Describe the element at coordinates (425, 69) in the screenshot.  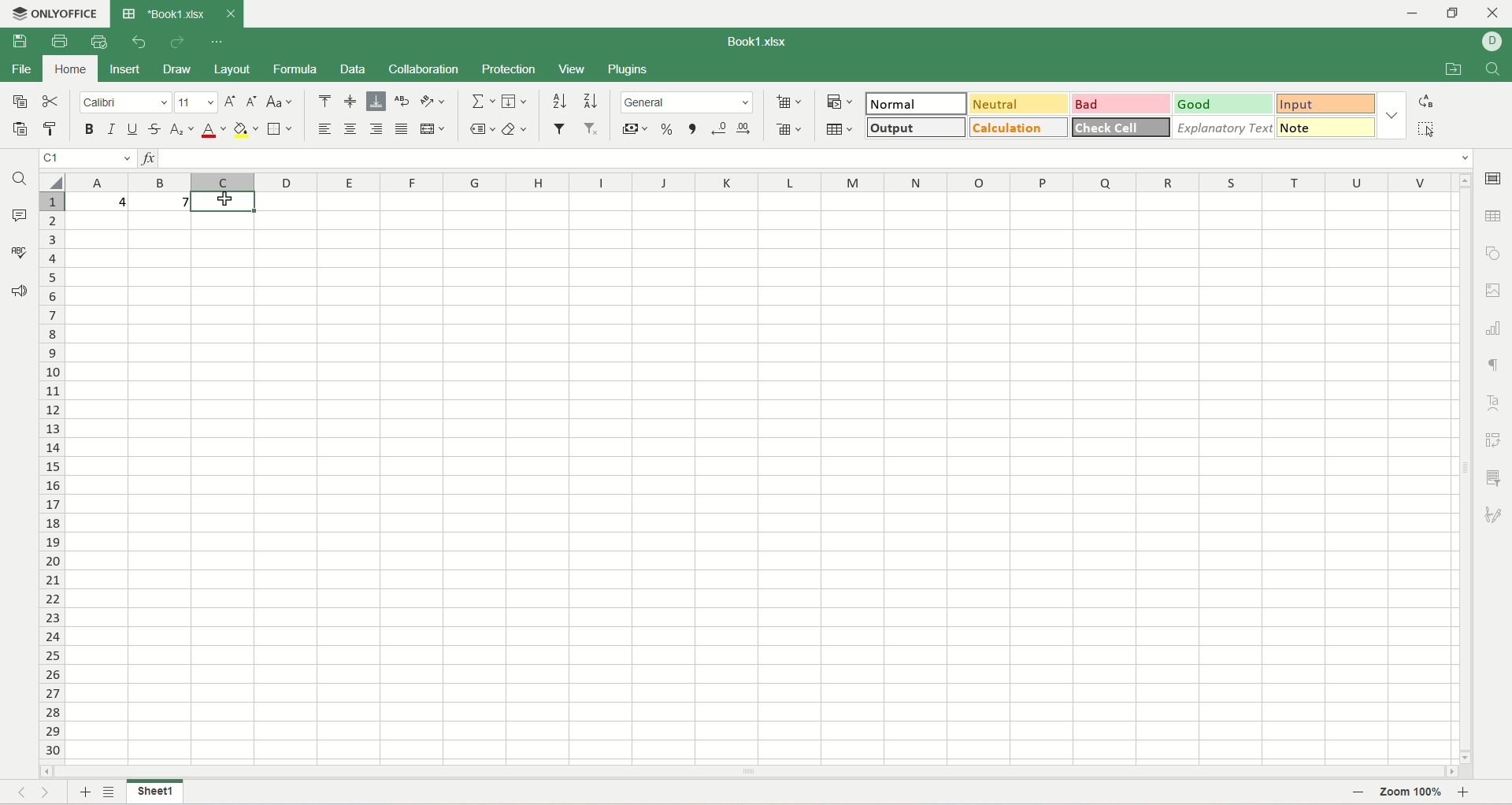
I see `collaboration` at that location.